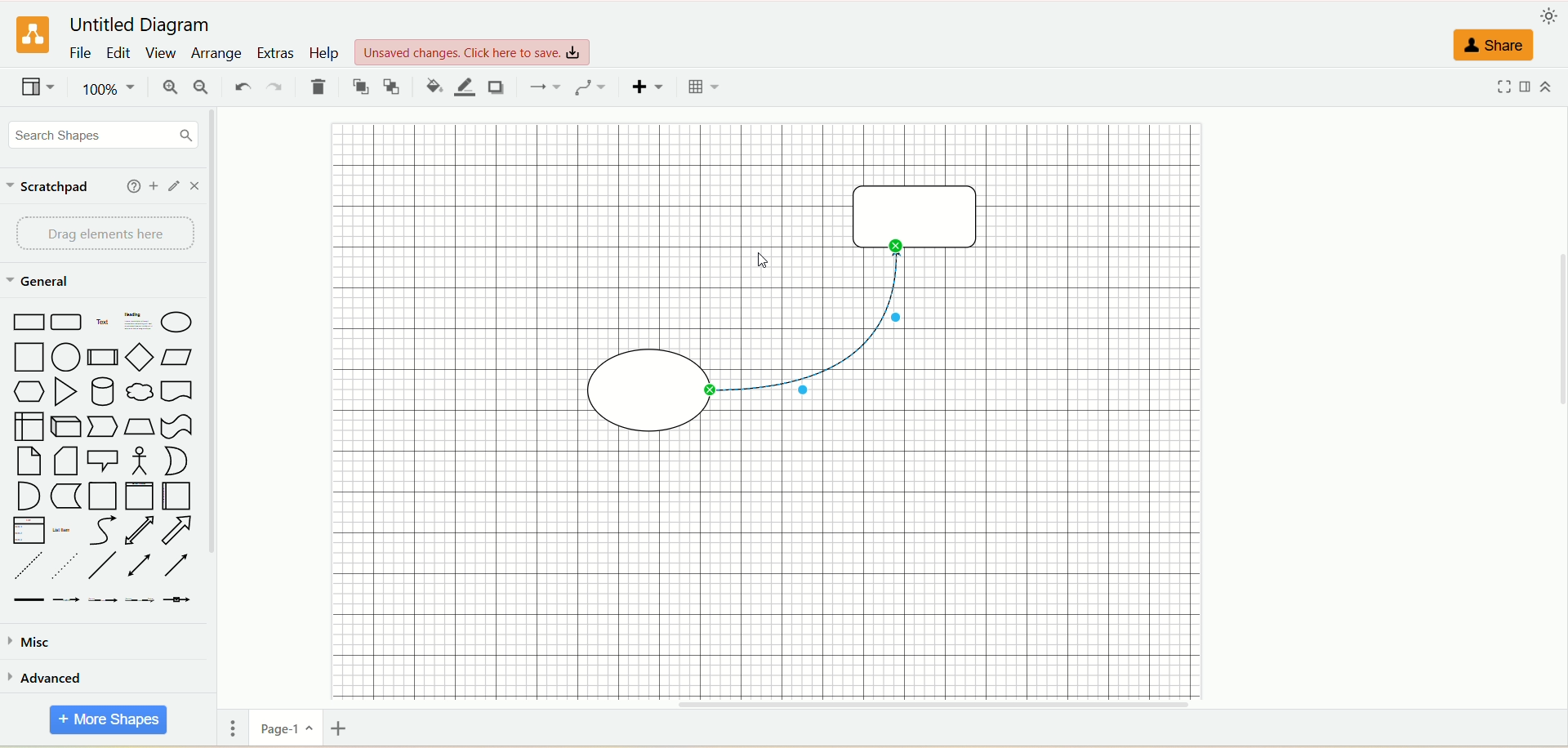  Describe the element at coordinates (345, 731) in the screenshot. I see `insert page` at that location.